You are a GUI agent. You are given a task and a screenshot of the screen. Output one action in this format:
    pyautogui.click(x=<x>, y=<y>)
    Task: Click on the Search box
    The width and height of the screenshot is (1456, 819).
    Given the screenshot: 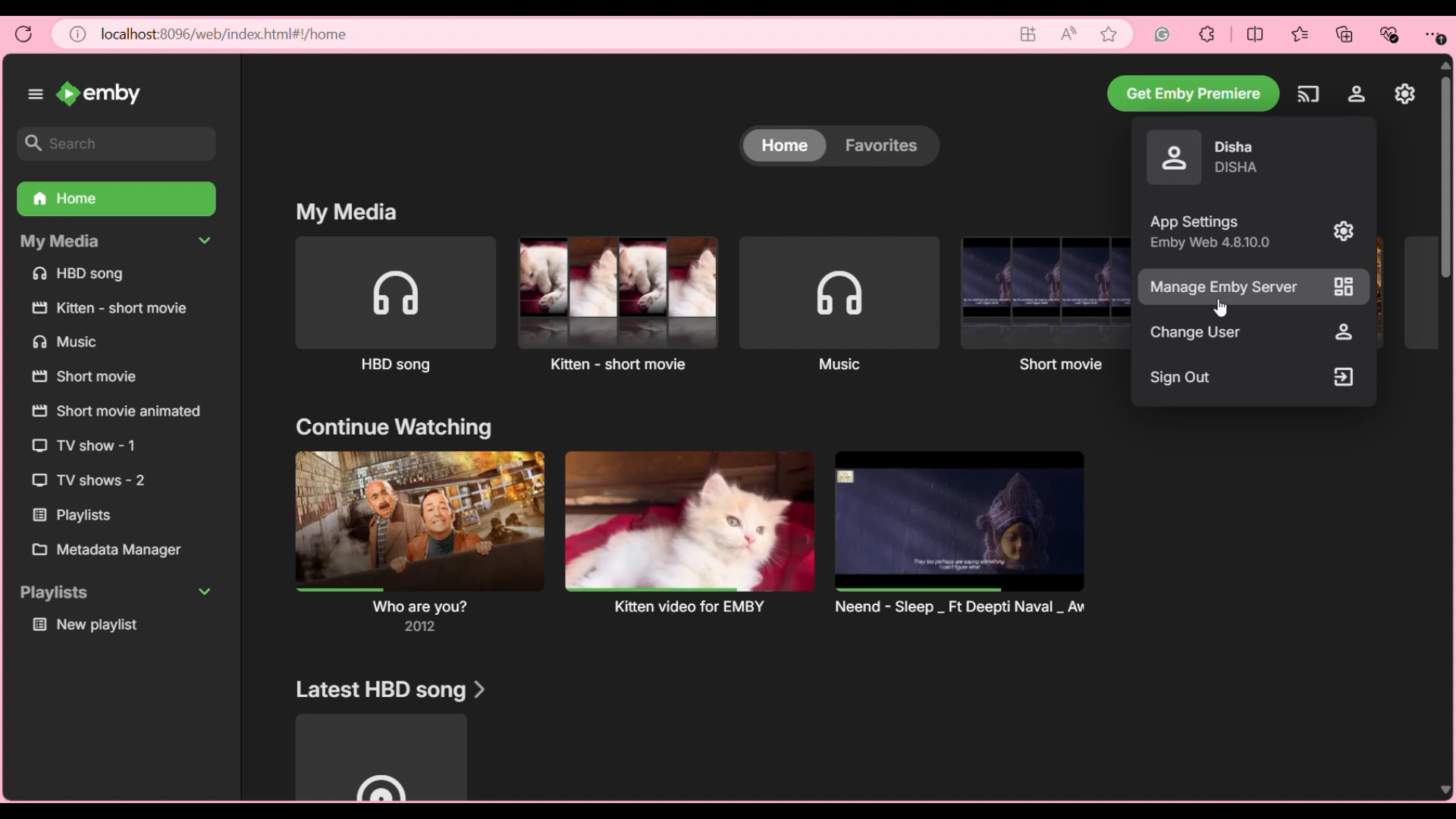 What is the action you would take?
    pyautogui.click(x=118, y=143)
    